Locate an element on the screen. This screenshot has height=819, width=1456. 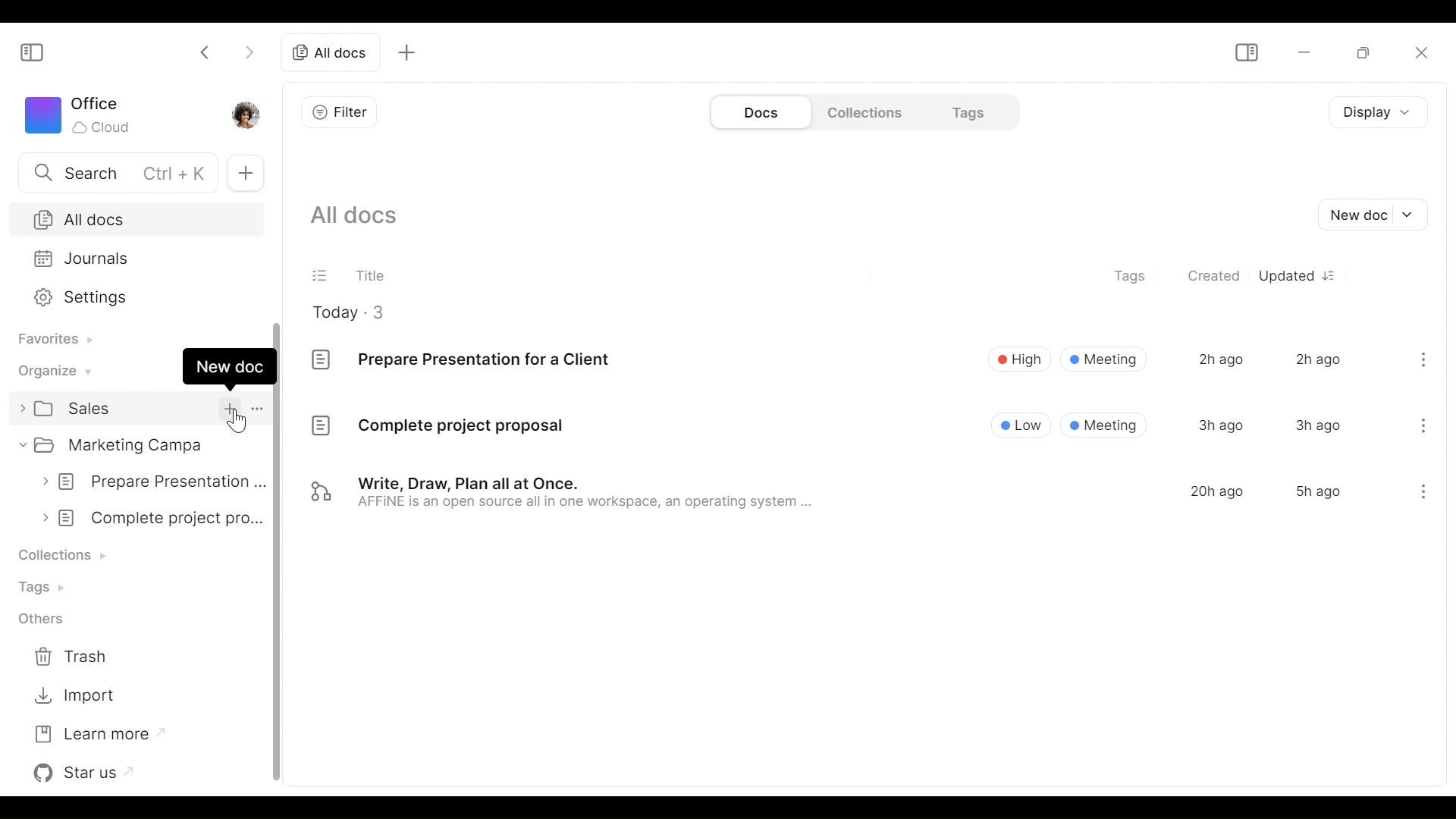
5h ago is located at coordinates (1317, 491).